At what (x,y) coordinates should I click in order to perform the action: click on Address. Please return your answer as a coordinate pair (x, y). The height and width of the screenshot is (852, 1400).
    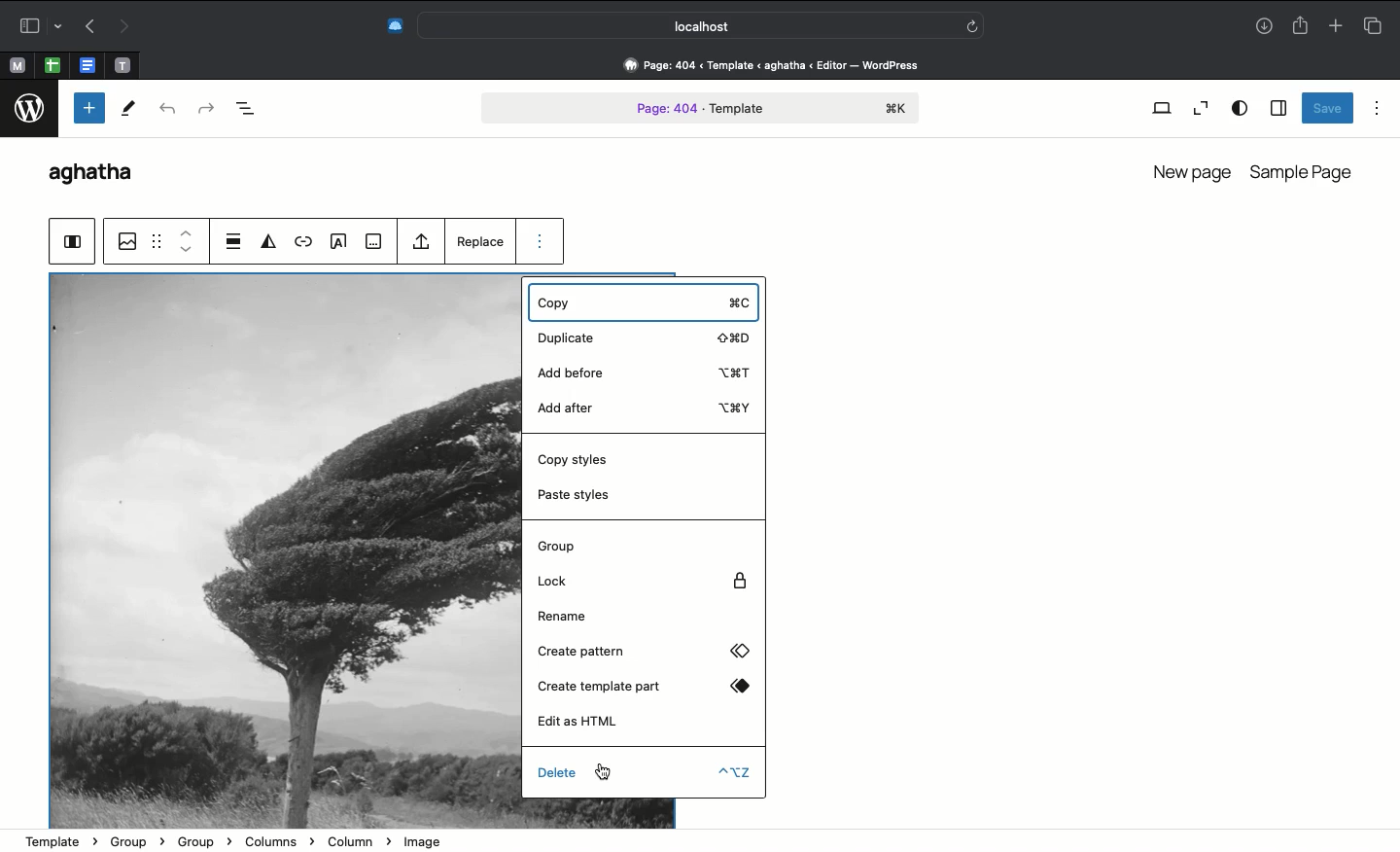
    Looking at the image, I should click on (761, 65).